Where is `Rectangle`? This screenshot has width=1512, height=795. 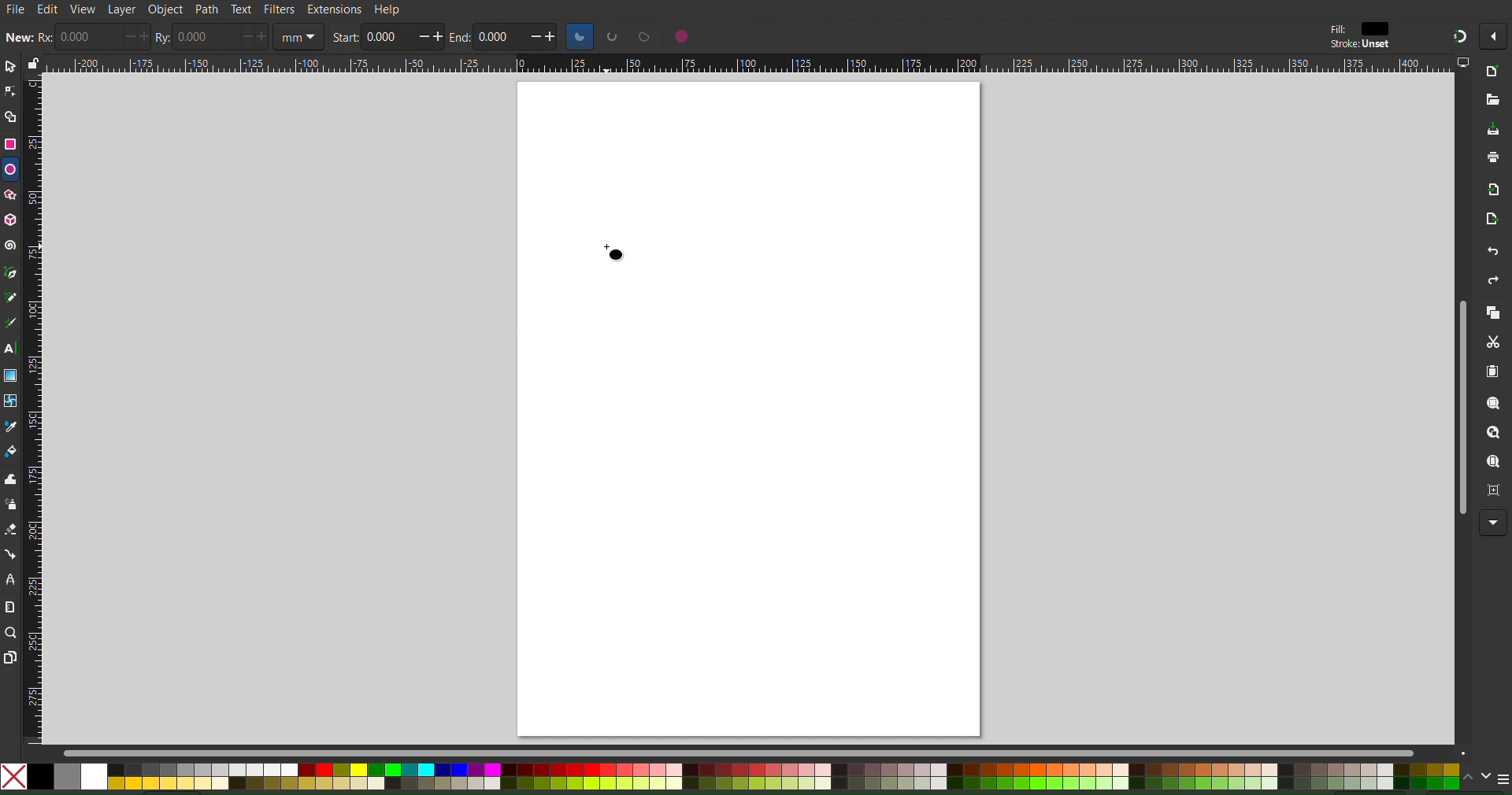
Rectangle is located at coordinates (11, 144).